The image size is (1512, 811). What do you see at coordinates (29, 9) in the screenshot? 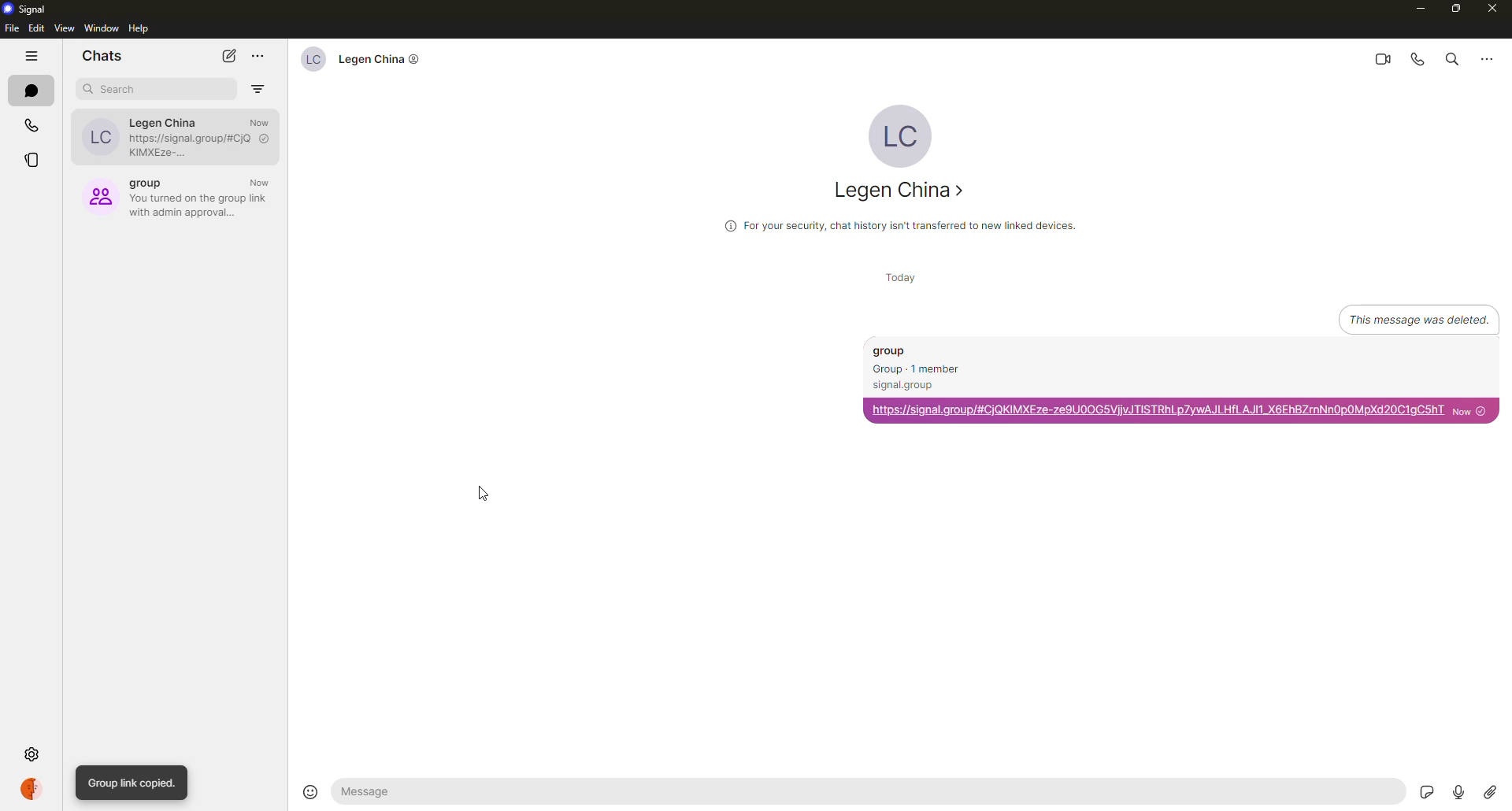
I see `signal` at bounding box center [29, 9].